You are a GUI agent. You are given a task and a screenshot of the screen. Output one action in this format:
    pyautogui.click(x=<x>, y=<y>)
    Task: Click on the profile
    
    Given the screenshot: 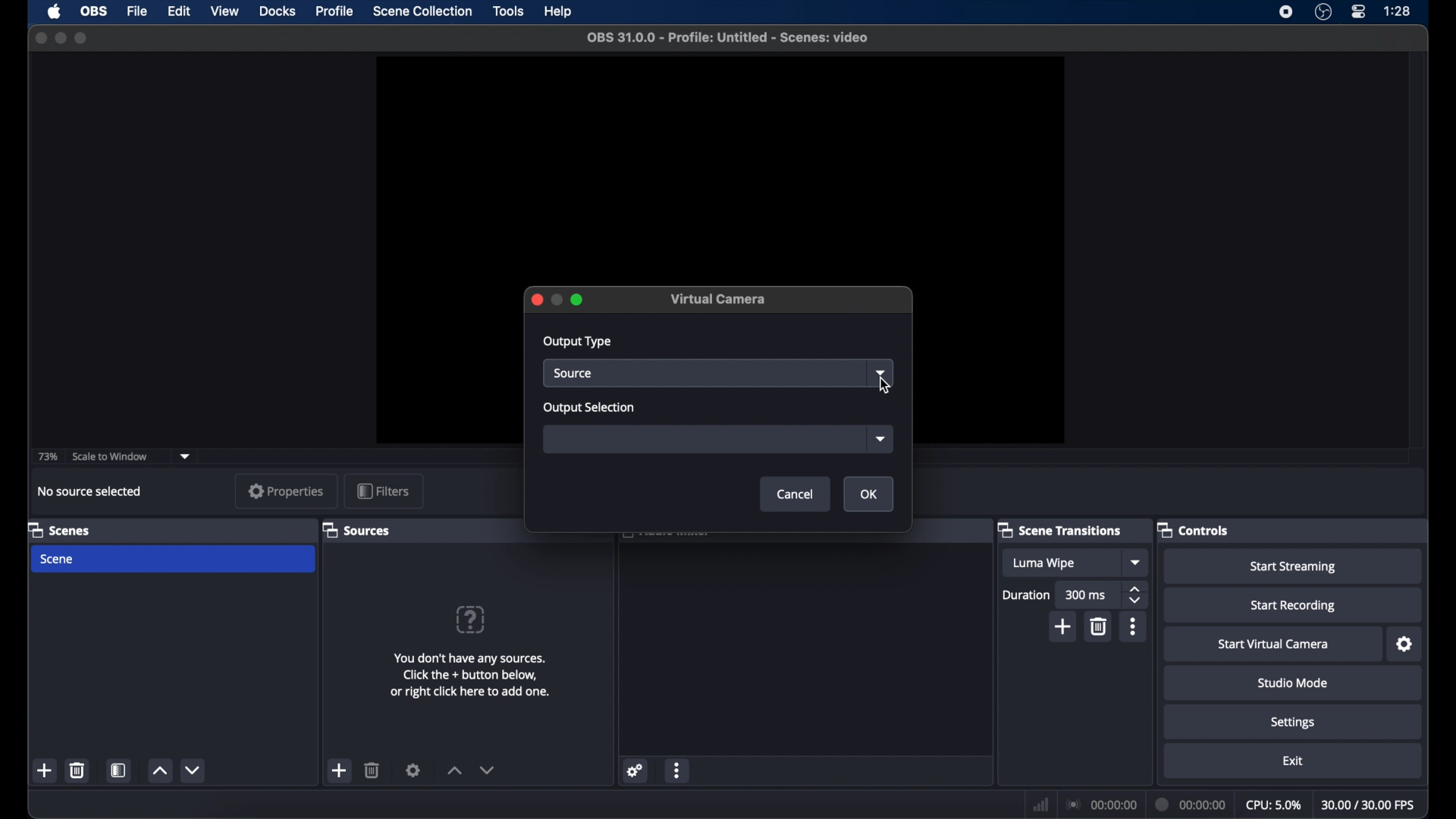 What is the action you would take?
    pyautogui.click(x=335, y=11)
    